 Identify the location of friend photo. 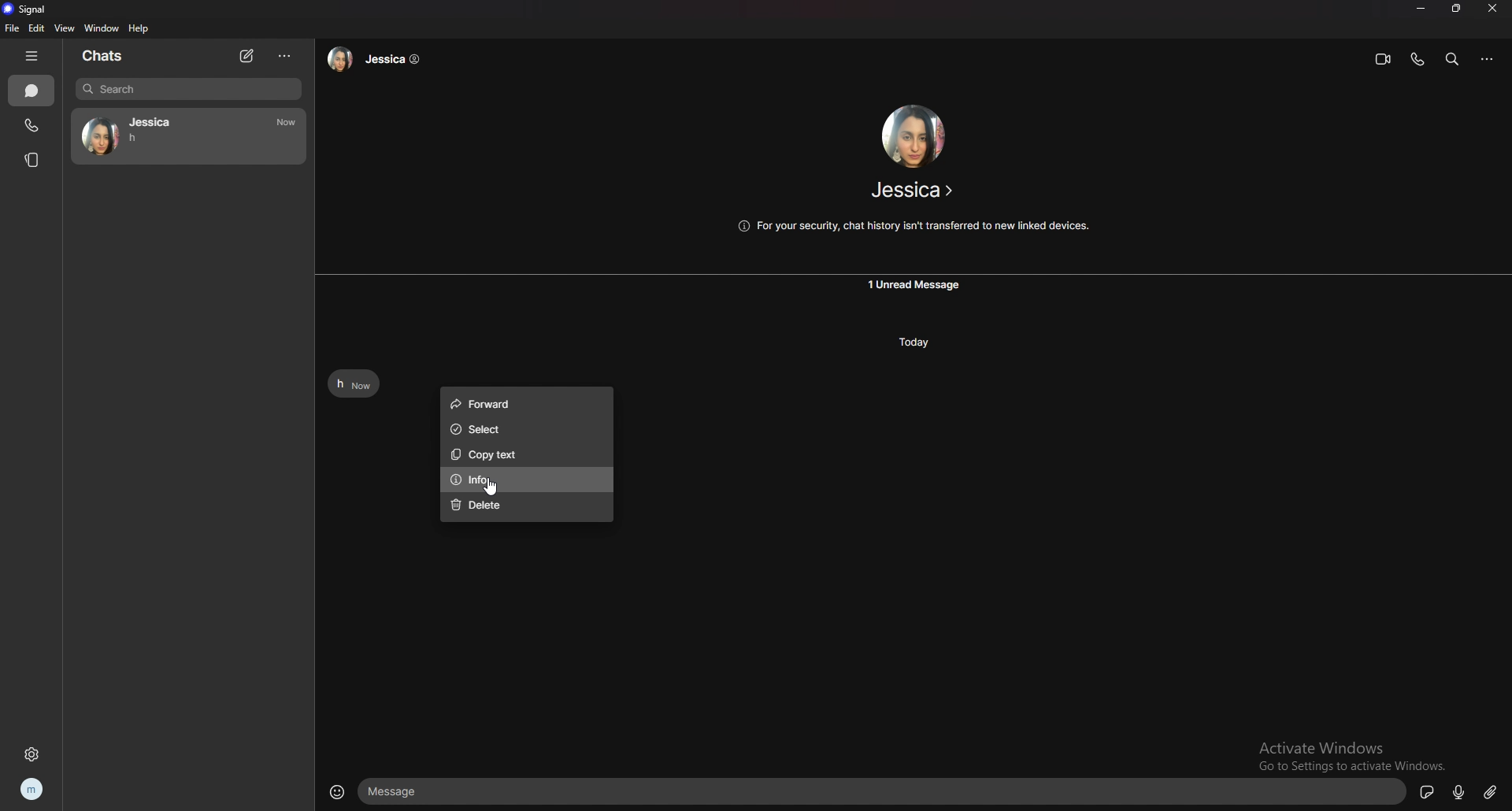
(916, 133).